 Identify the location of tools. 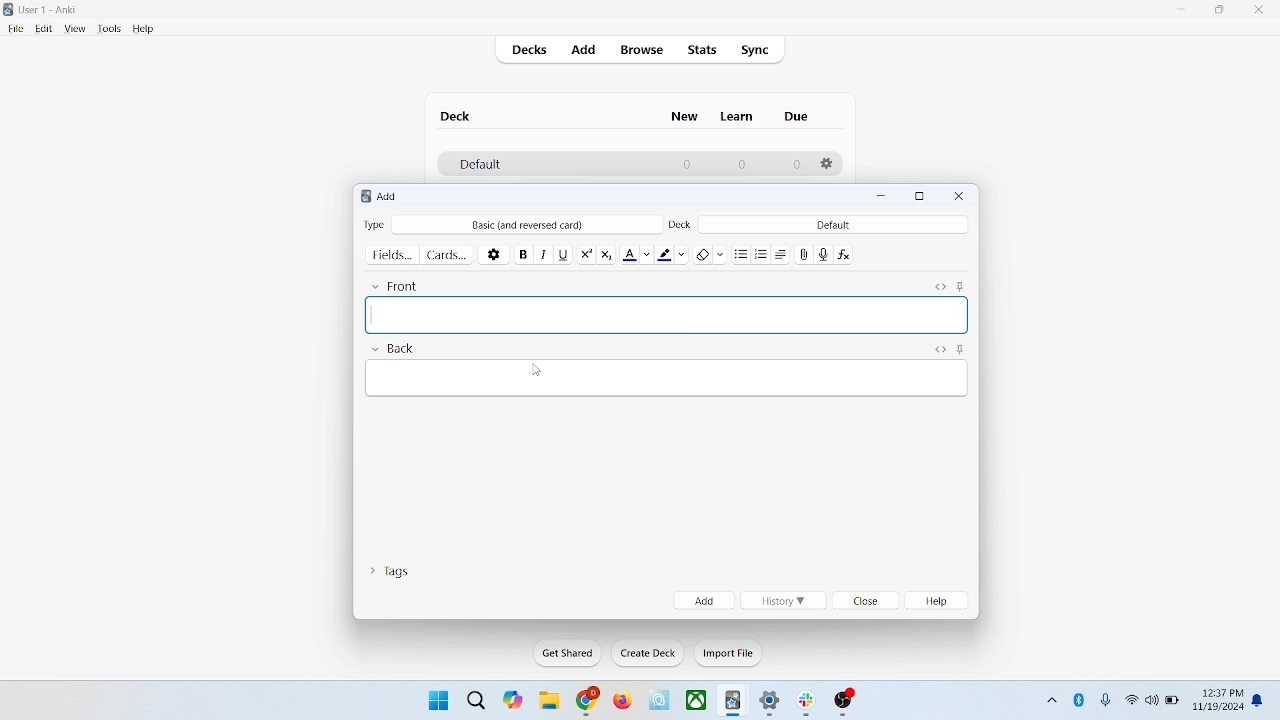
(108, 29).